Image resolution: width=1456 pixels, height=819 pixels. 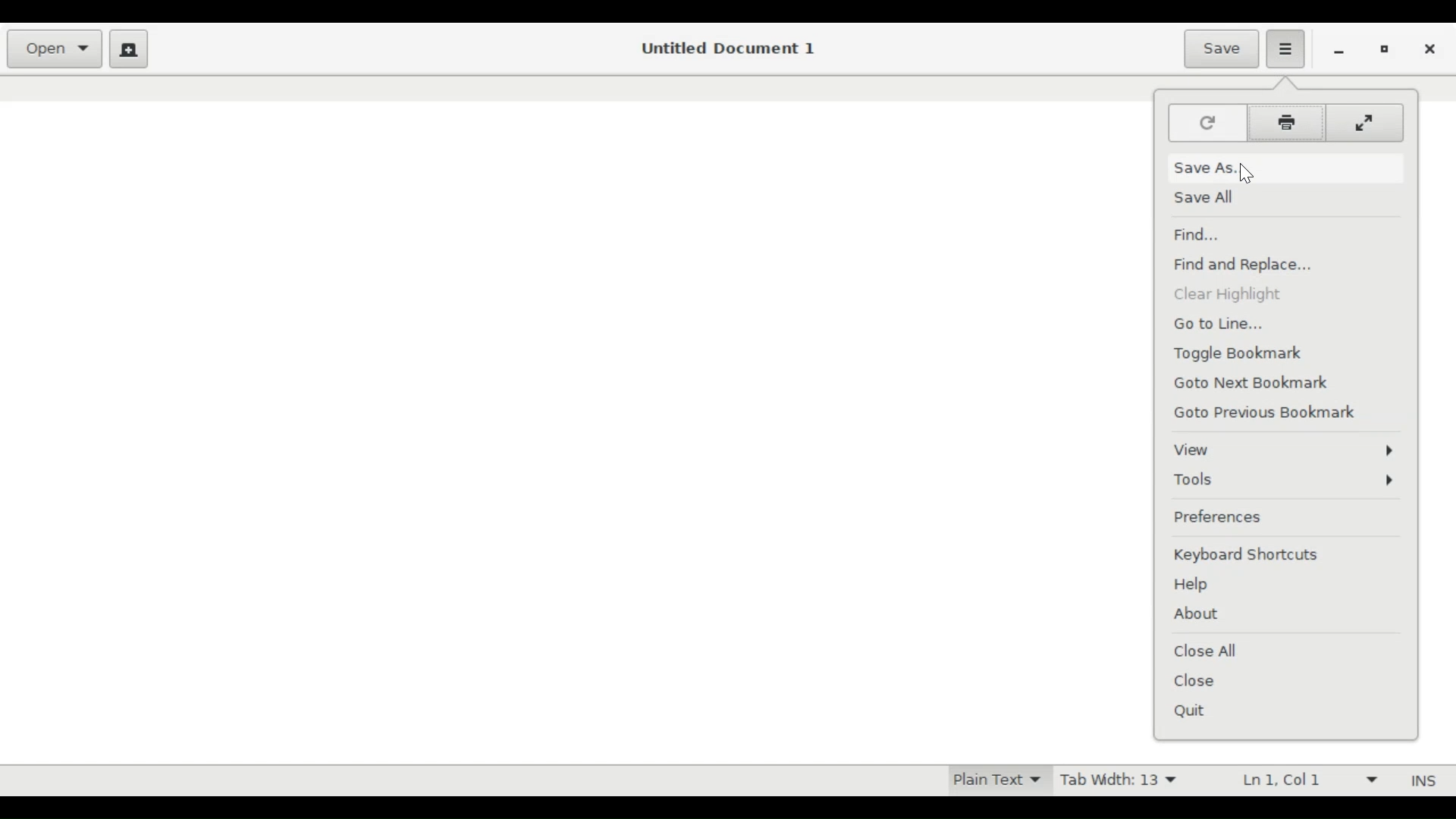 I want to click on Fullscreen mode, so click(x=1363, y=123).